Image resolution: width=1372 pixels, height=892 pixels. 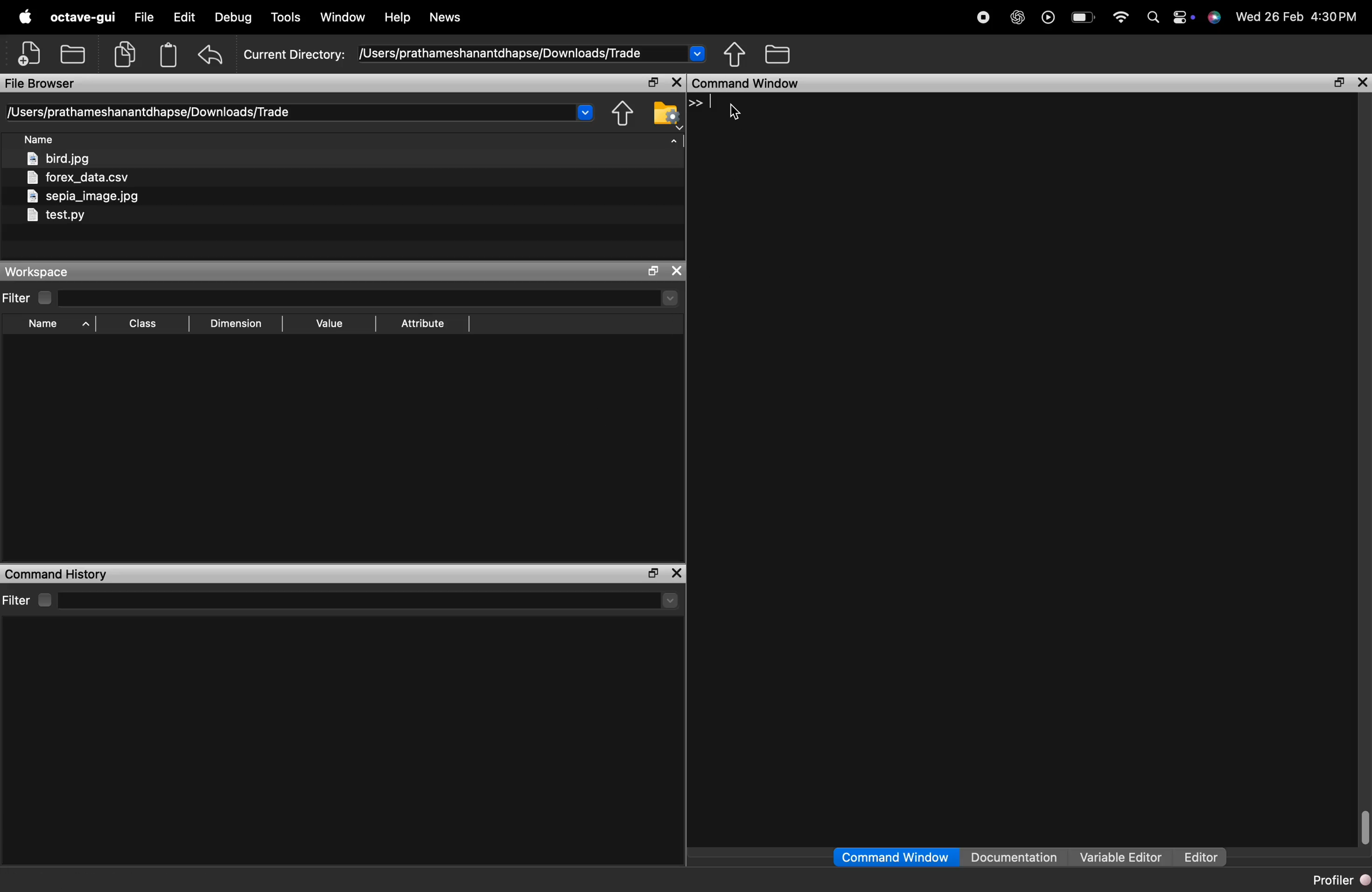 I want to click on Command Window, so click(x=895, y=857).